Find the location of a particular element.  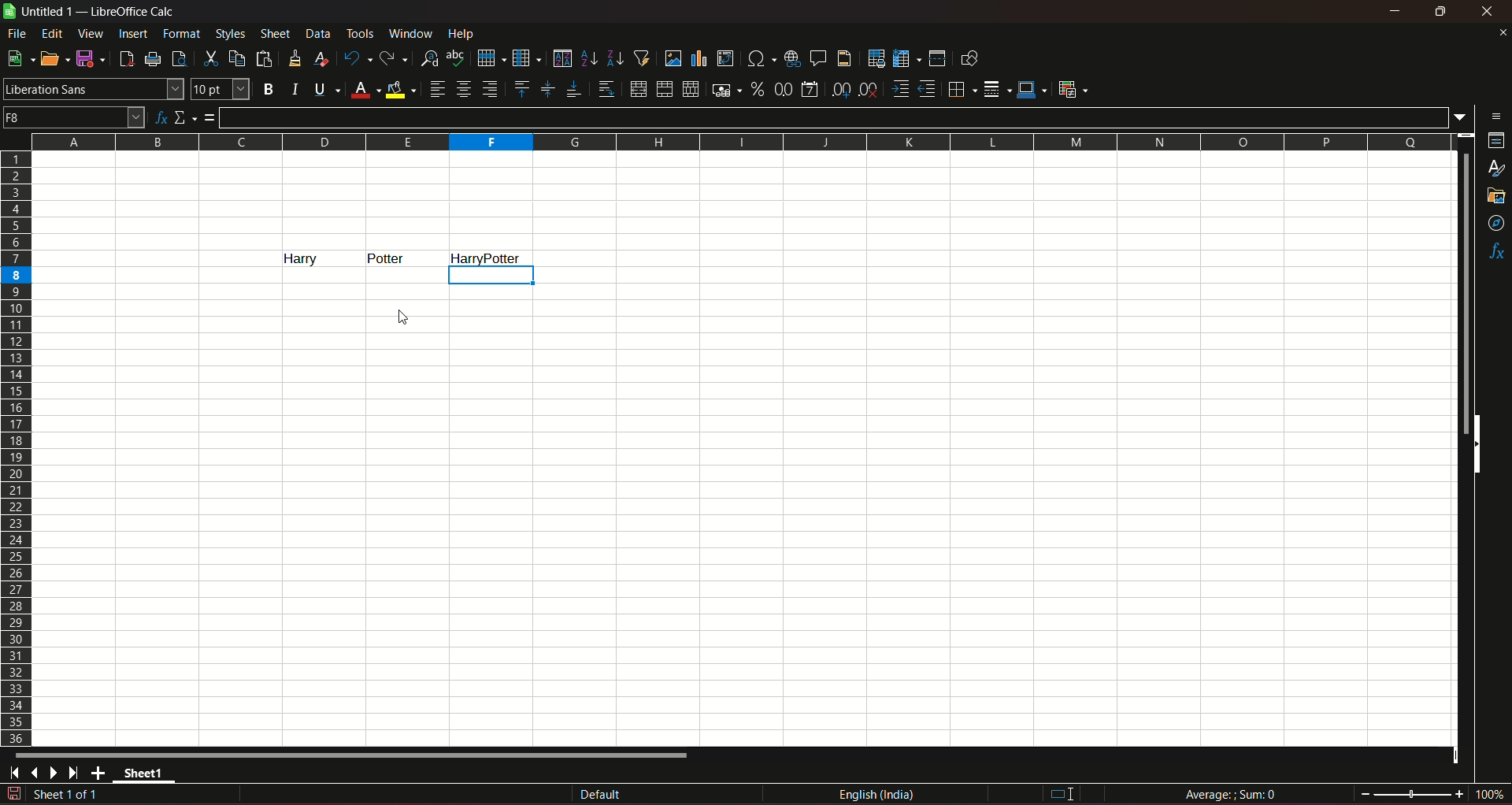

data is located at coordinates (318, 33).